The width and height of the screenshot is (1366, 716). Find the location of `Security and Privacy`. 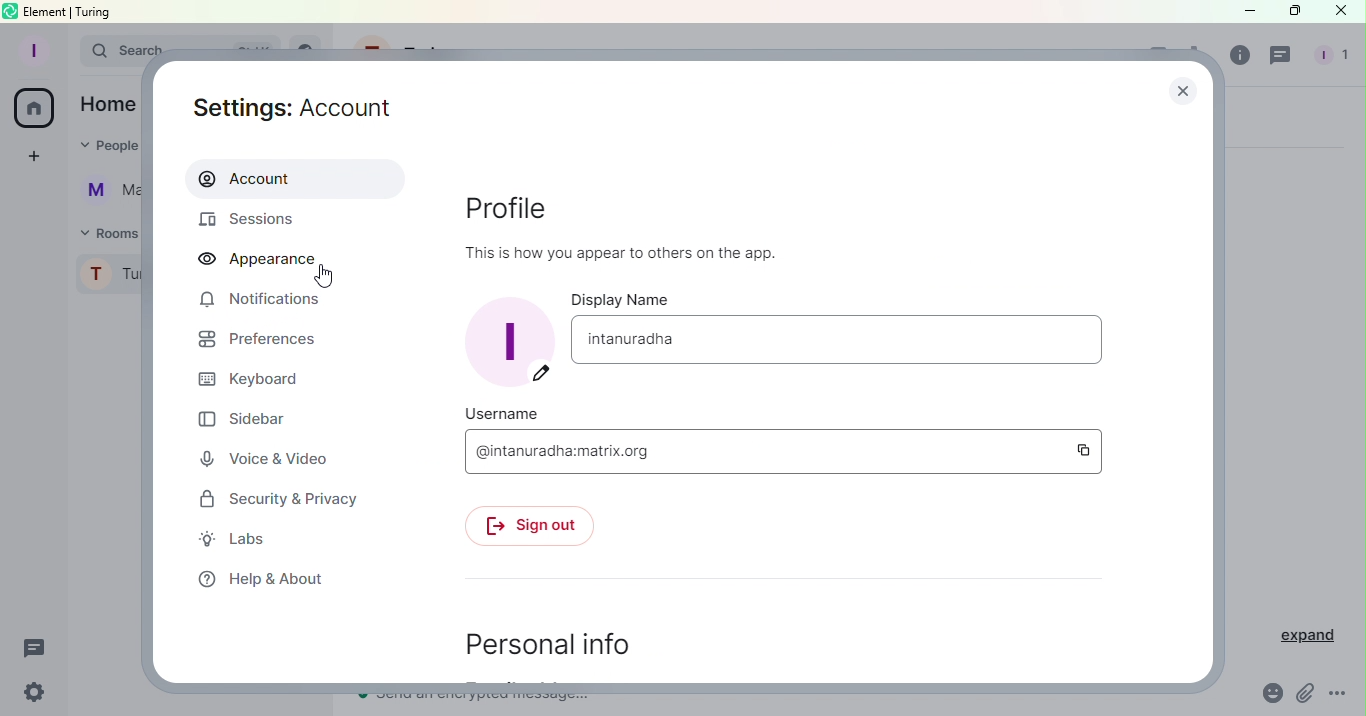

Security and Privacy is located at coordinates (279, 500).